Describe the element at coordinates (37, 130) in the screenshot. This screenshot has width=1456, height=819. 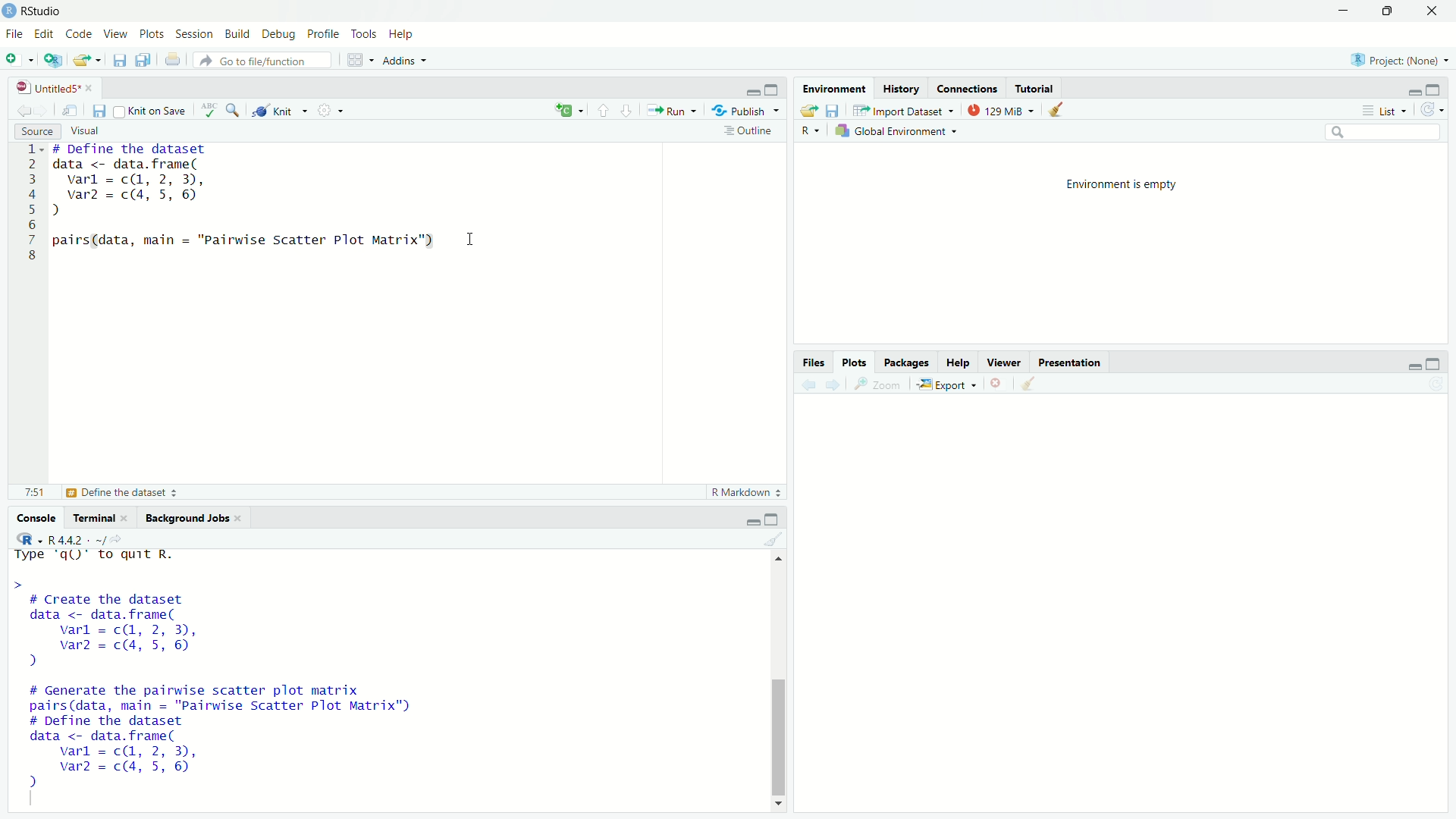
I see `Source` at that location.